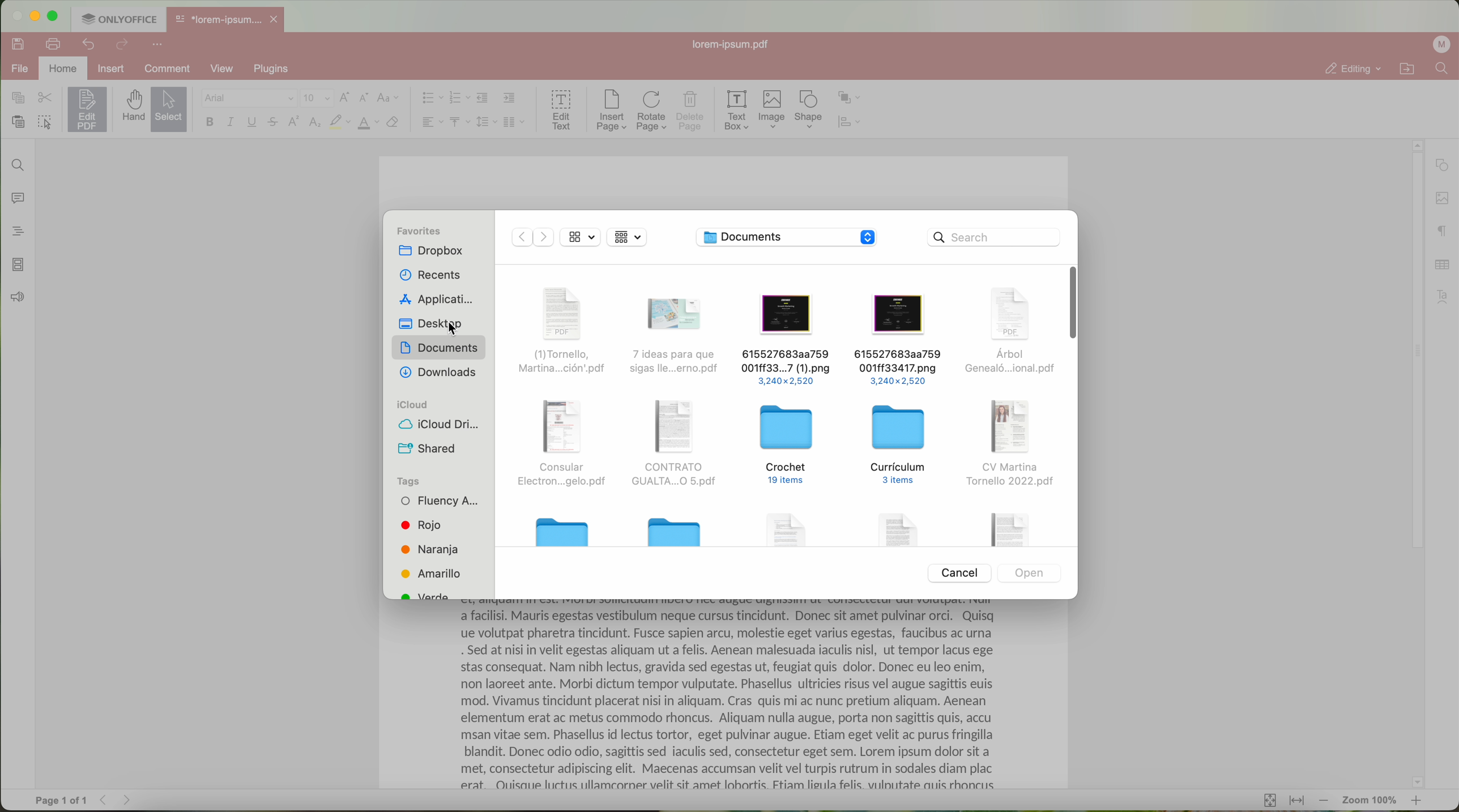  Describe the element at coordinates (1445, 297) in the screenshot. I see `text art settings` at that location.